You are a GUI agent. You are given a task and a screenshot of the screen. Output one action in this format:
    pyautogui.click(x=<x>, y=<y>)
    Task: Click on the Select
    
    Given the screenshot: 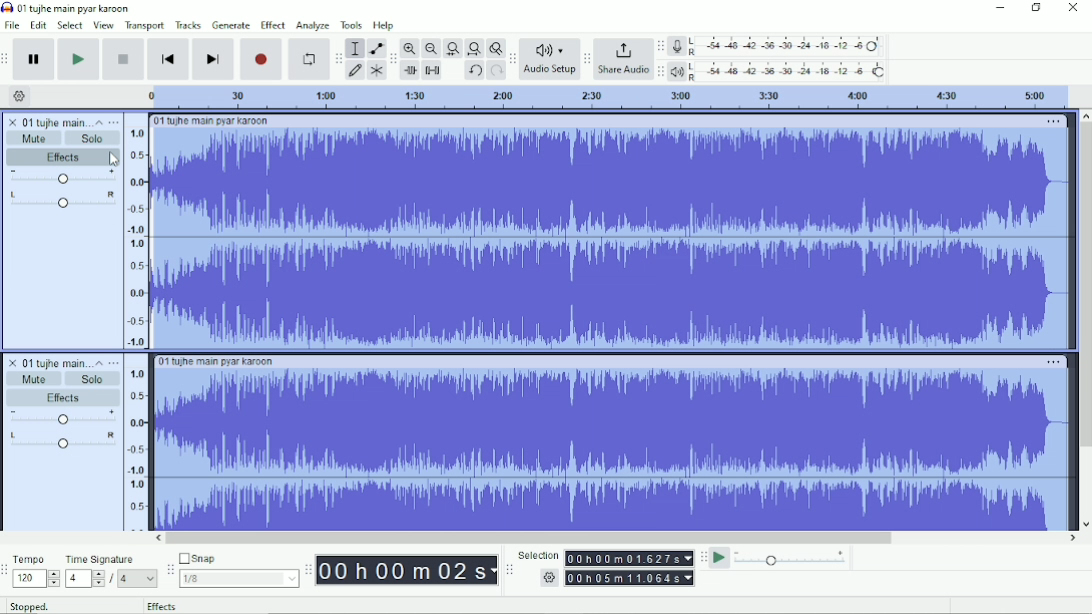 What is the action you would take?
    pyautogui.click(x=71, y=25)
    